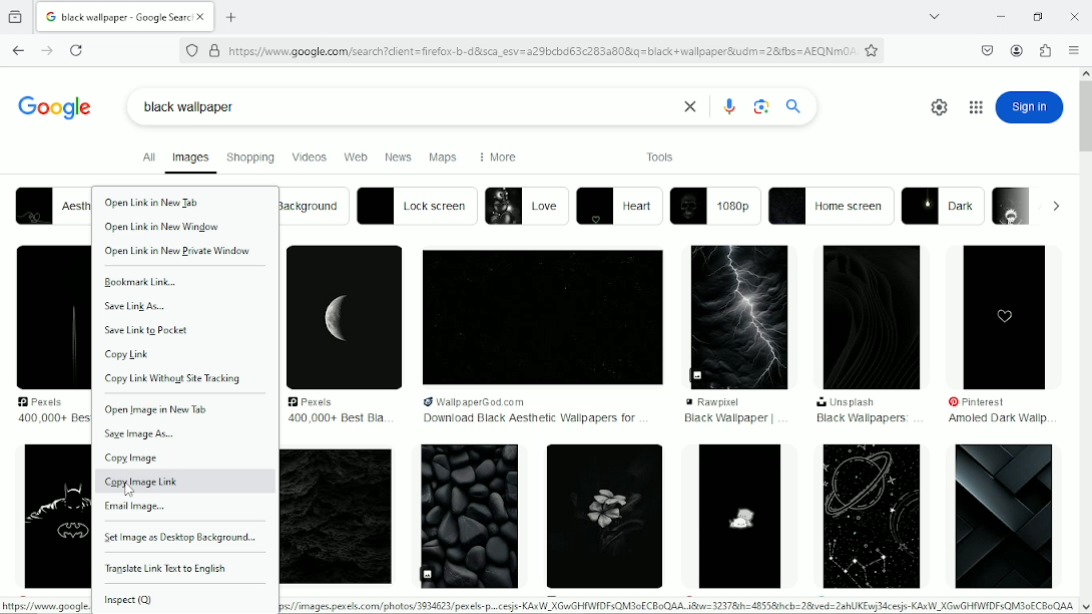 This screenshot has width=1092, height=614. Describe the element at coordinates (153, 202) in the screenshot. I see `open link in new tab` at that location.